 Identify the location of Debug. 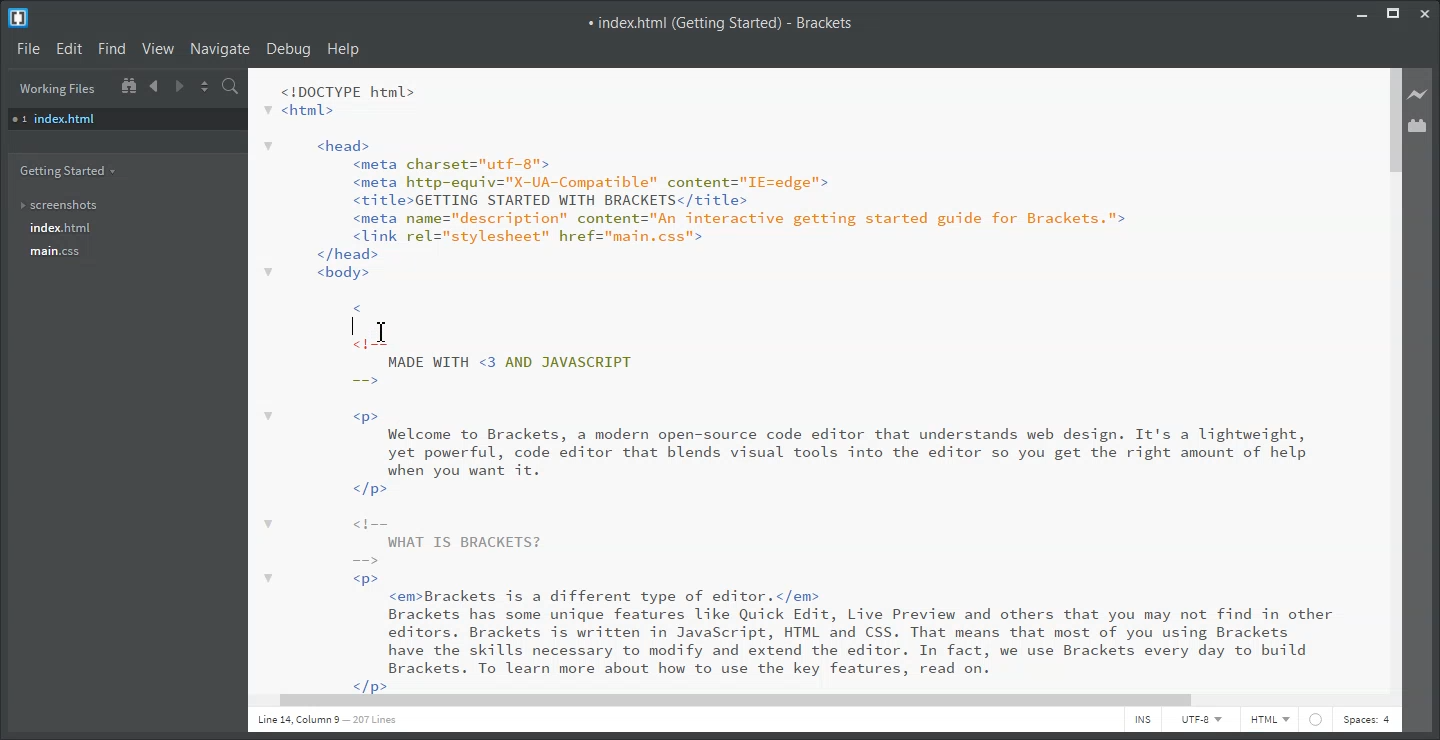
(290, 49).